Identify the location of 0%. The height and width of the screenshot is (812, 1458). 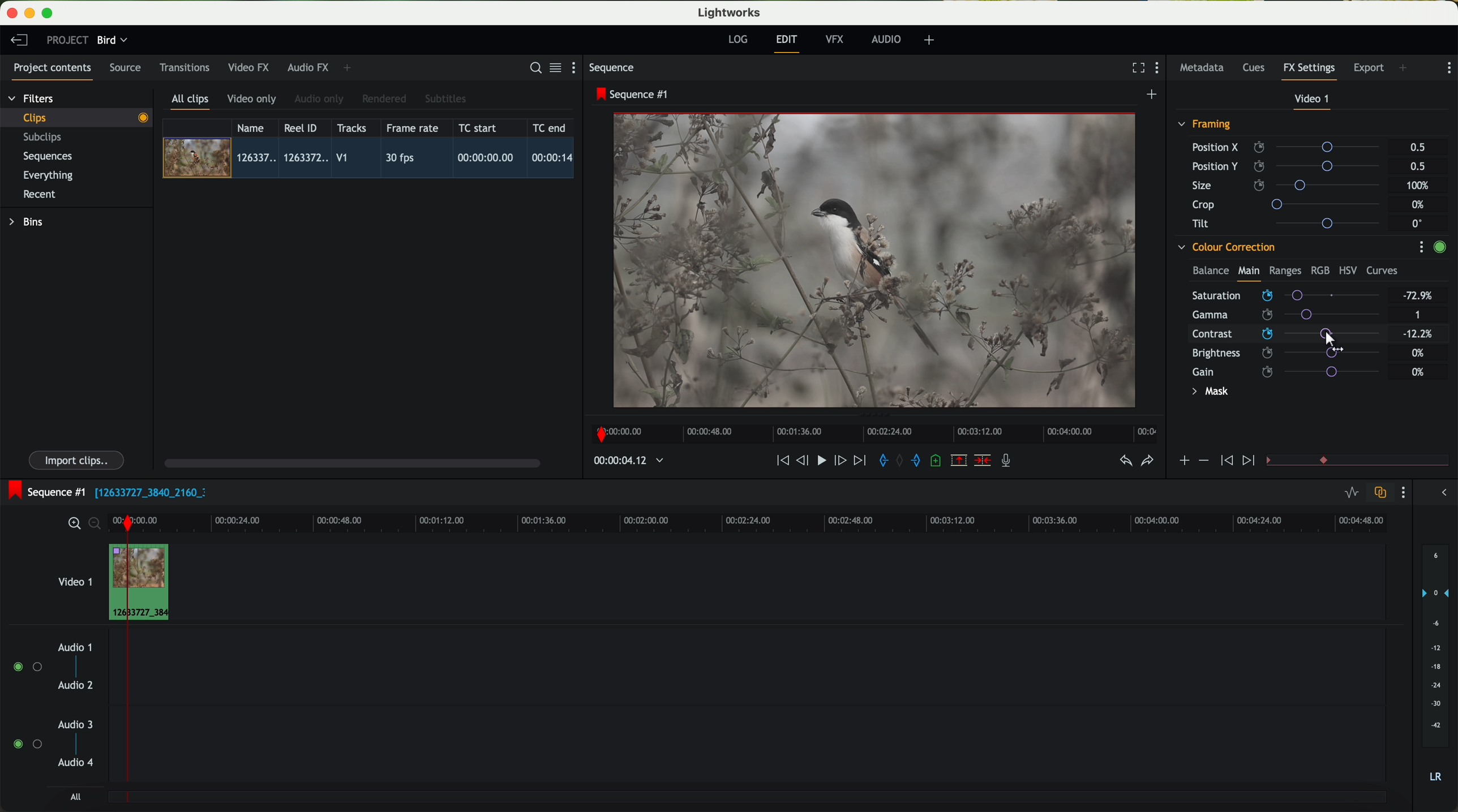
(1418, 372).